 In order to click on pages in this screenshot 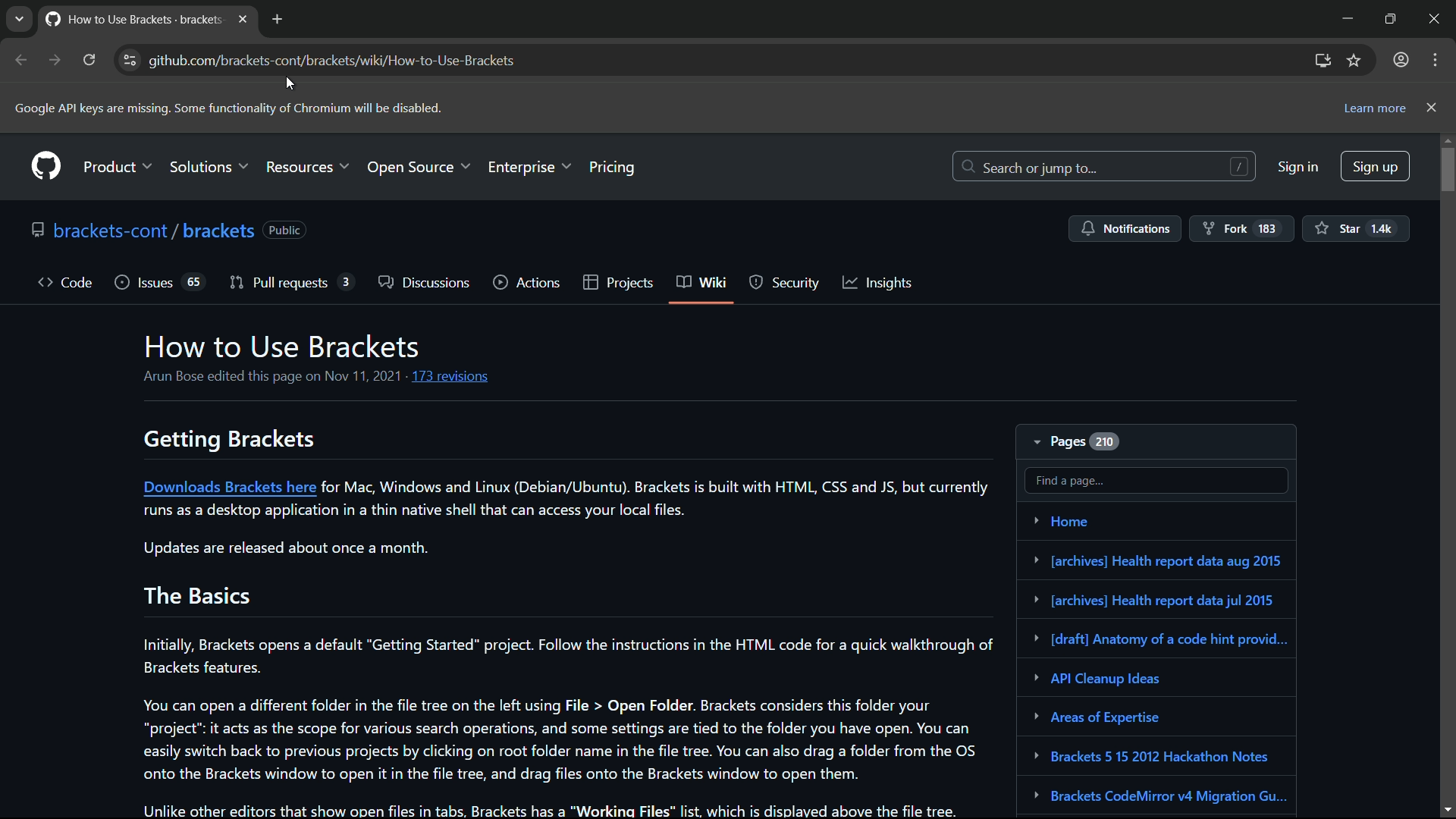, I will do `click(1081, 441)`.